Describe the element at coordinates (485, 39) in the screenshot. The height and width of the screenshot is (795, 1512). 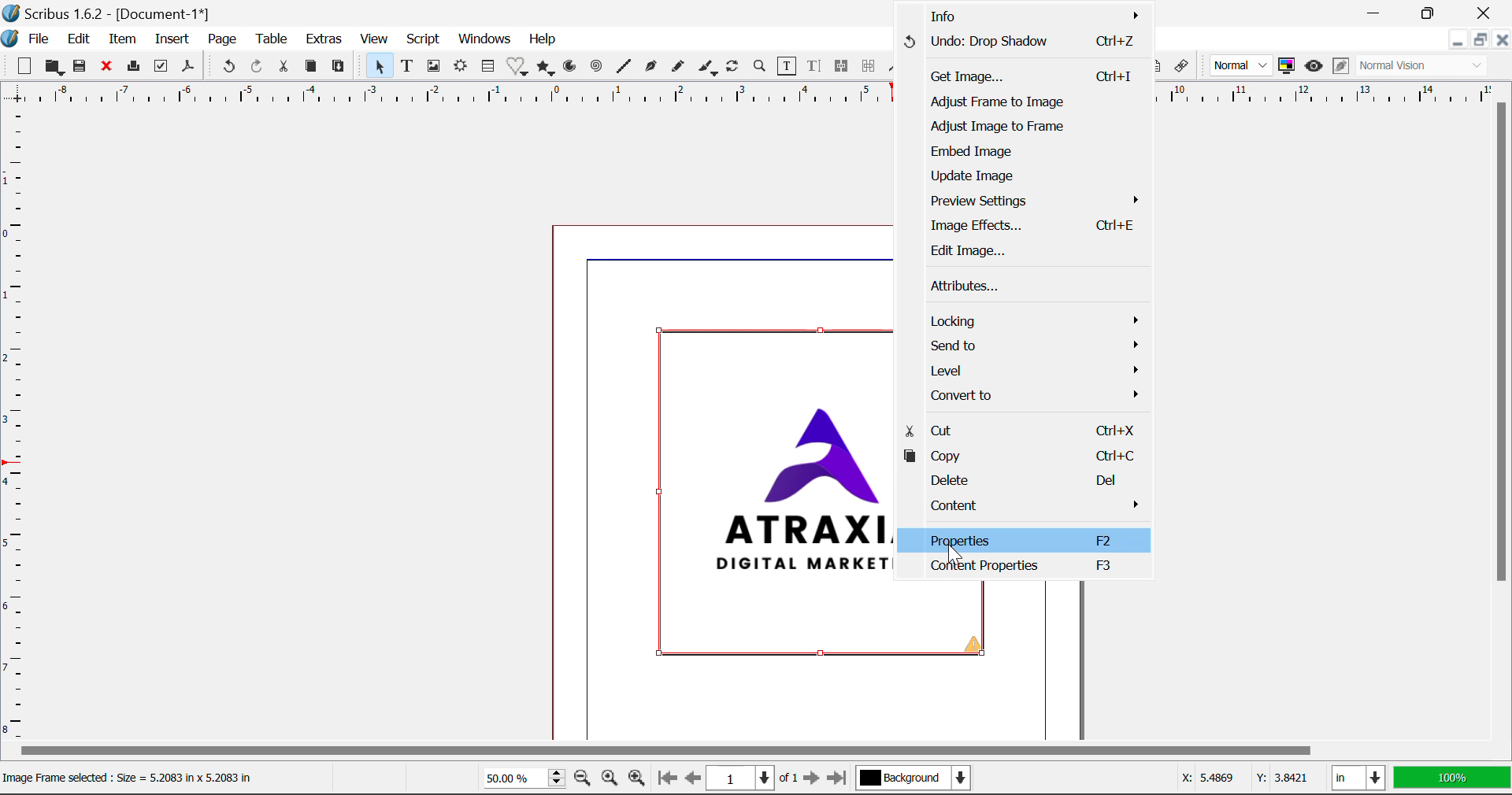
I see `Windows` at that location.